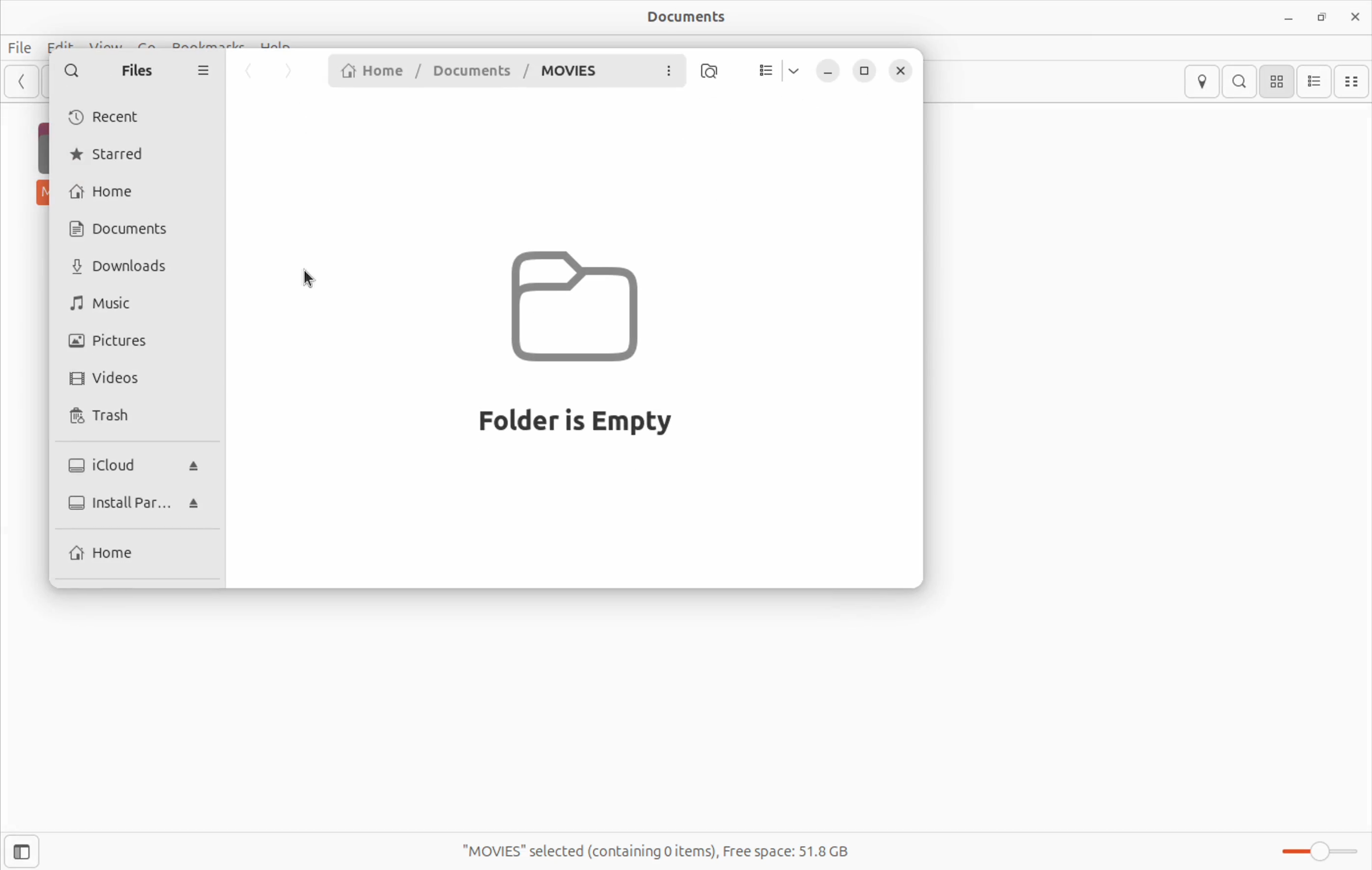 The image size is (1372, 870). What do you see at coordinates (22, 86) in the screenshot?
I see `Previous` at bounding box center [22, 86].